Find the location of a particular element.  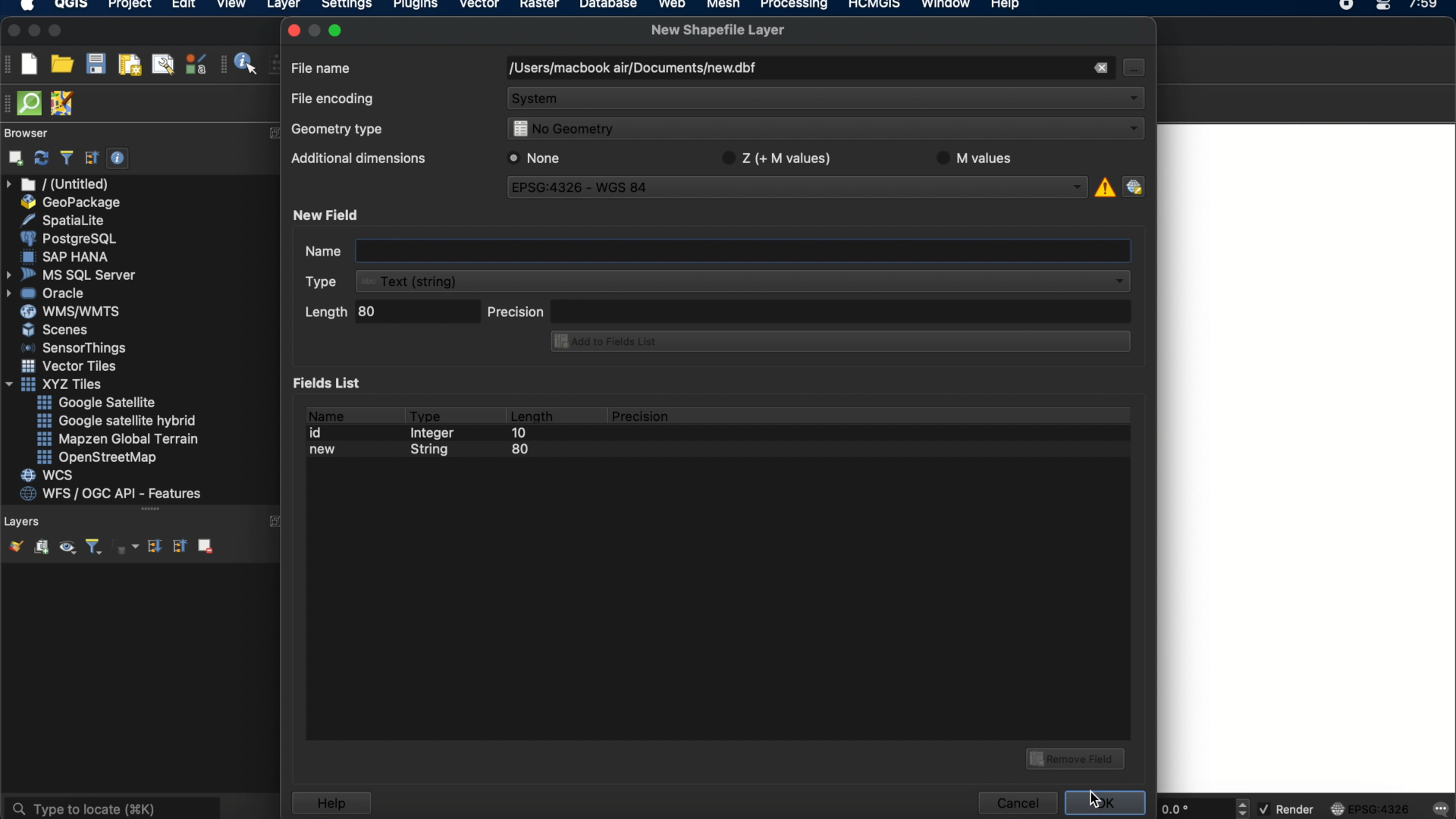

file name, type, location is located at coordinates (632, 69).